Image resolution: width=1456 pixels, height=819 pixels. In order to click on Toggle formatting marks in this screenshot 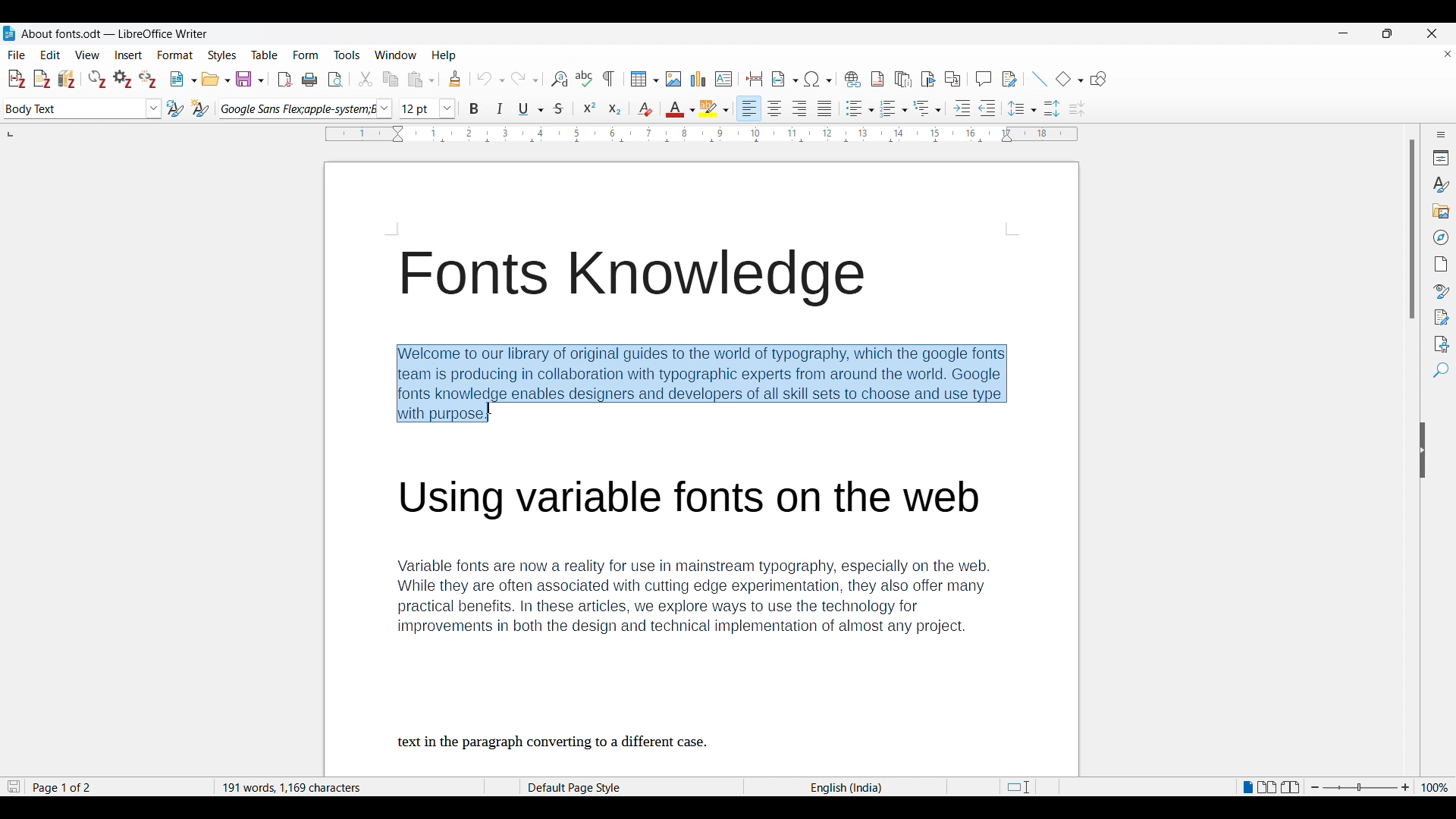, I will do `click(609, 79)`.